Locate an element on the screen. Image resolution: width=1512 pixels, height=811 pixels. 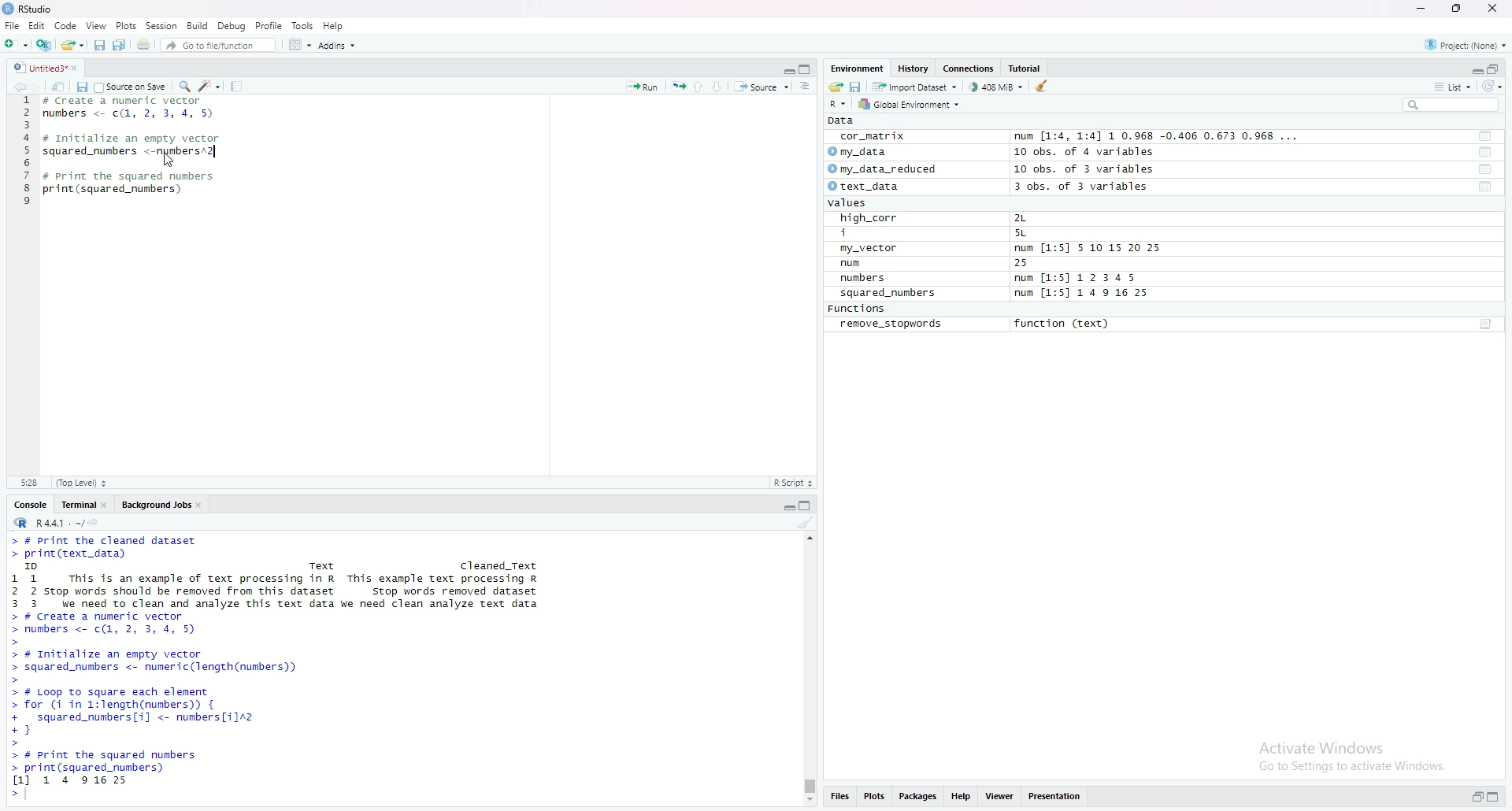
maximize is located at coordinates (808, 504).